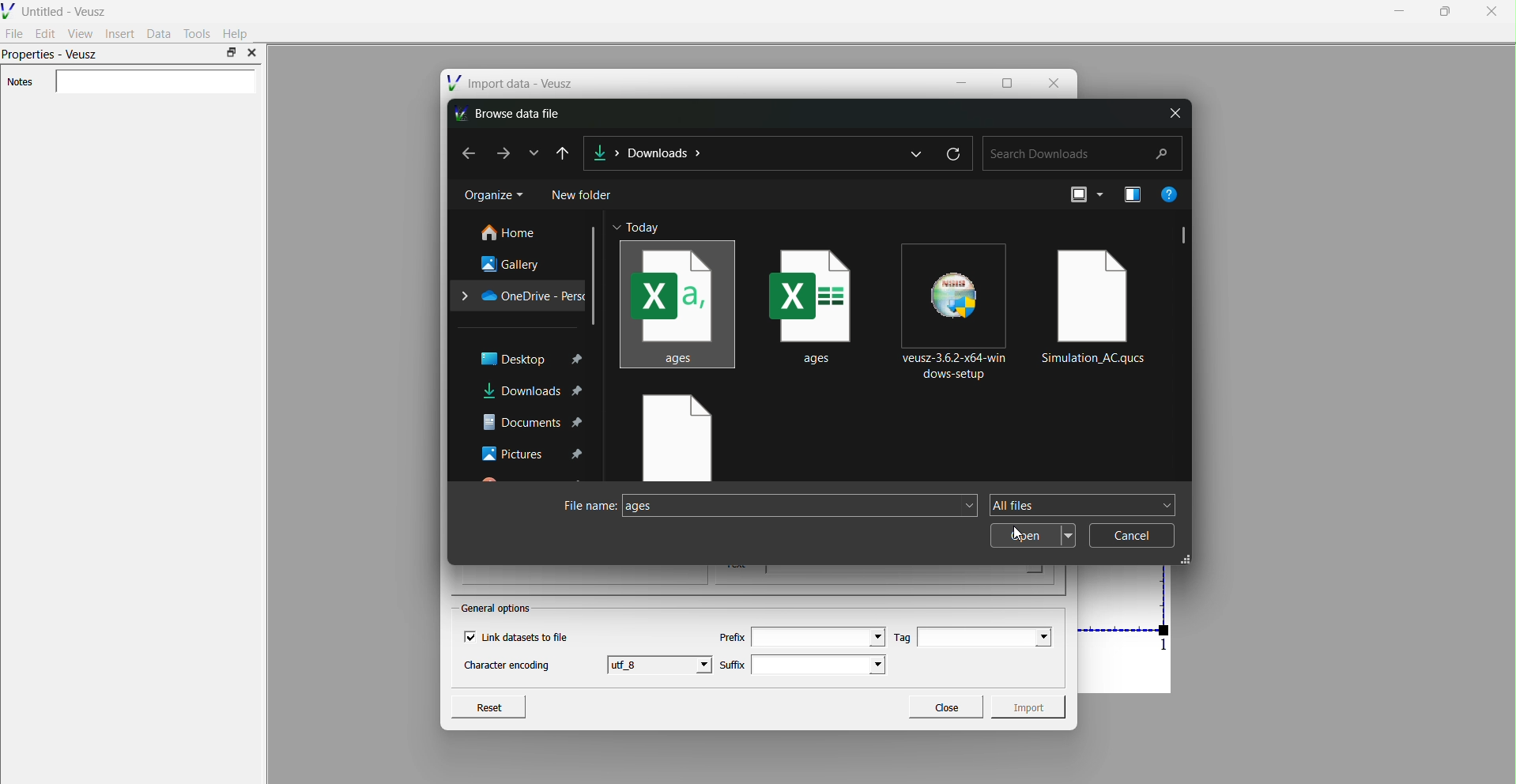 The height and width of the screenshot is (784, 1516). Describe the element at coordinates (251, 53) in the screenshot. I see `close` at that location.